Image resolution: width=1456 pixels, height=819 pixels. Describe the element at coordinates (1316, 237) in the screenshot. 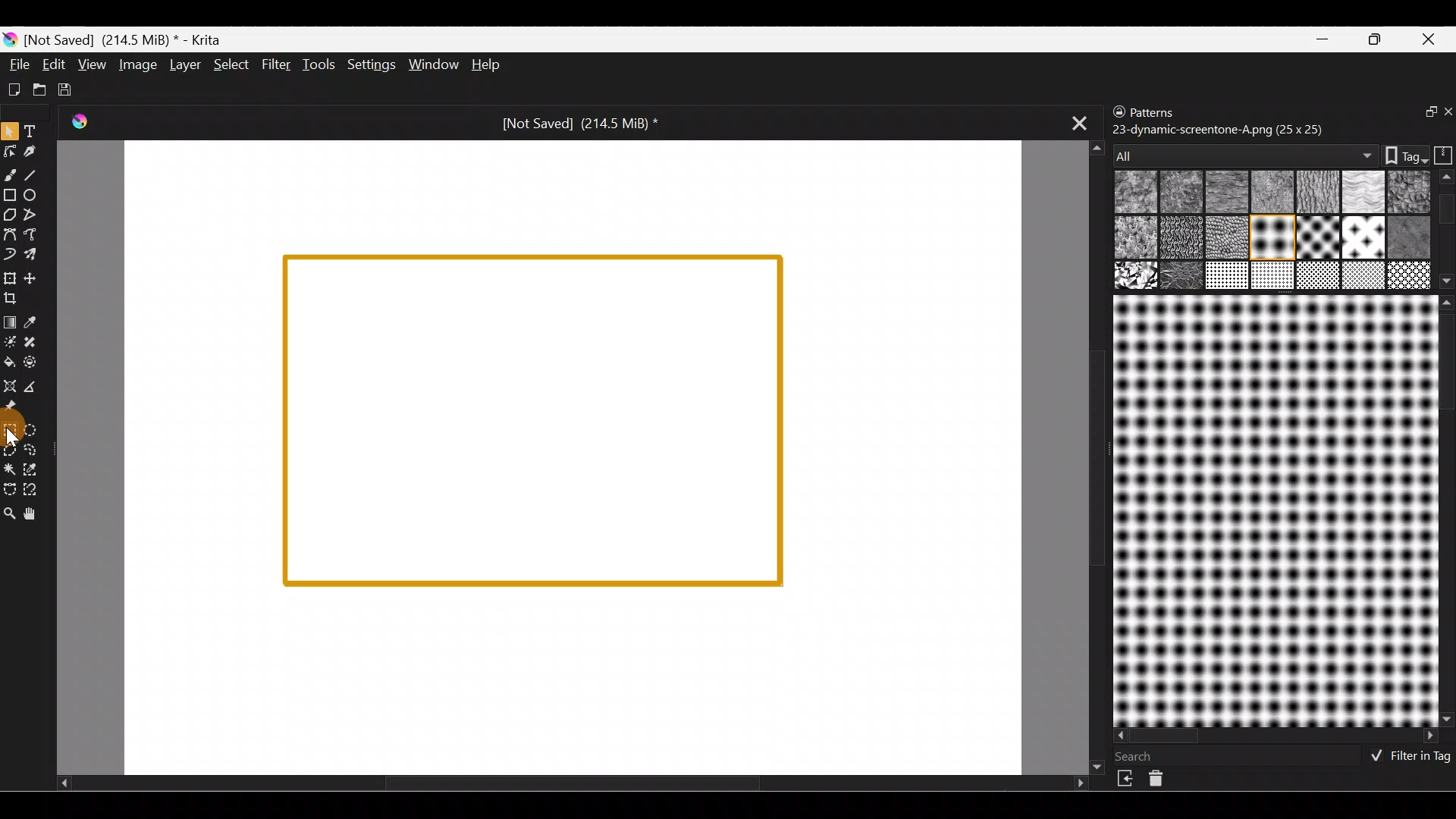

I see `11 drawed_furry.png` at that location.